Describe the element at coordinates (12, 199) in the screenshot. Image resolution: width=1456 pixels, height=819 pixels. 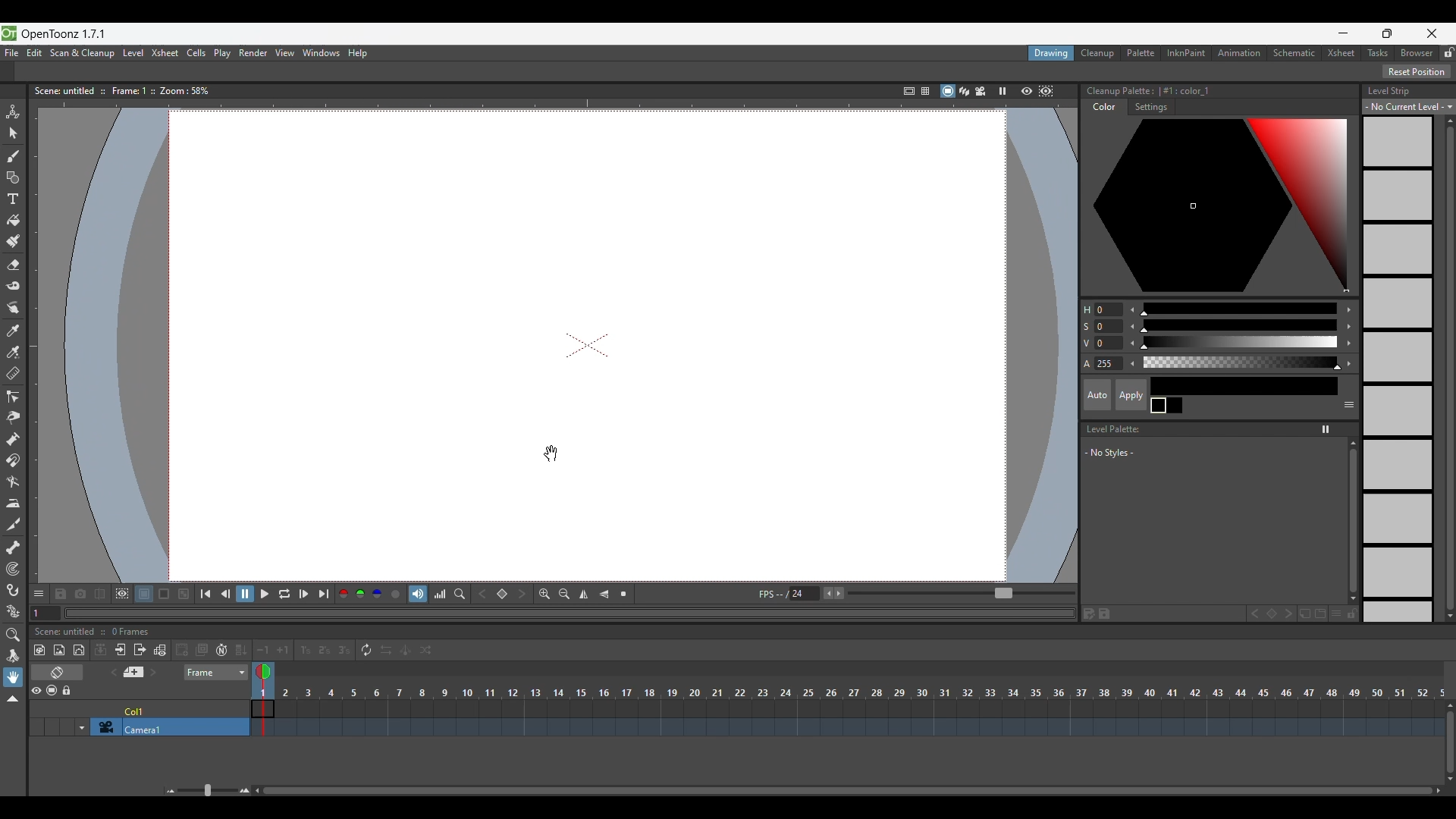
I see `Type tool` at that location.